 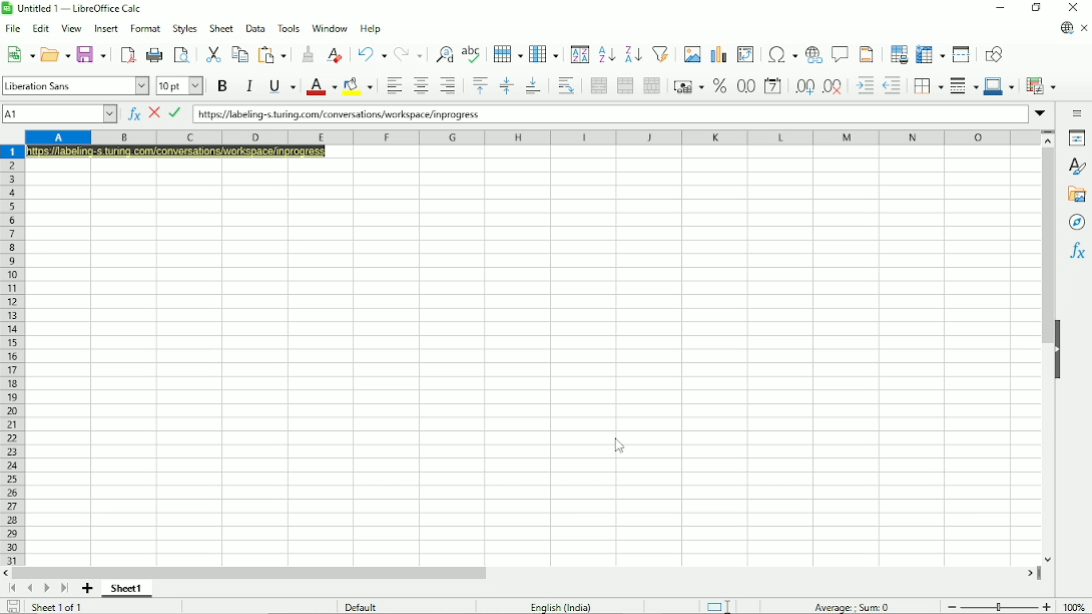 What do you see at coordinates (30, 589) in the screenshot?
I see `Scroll to previous sheet` at bounding box center [30, 589].